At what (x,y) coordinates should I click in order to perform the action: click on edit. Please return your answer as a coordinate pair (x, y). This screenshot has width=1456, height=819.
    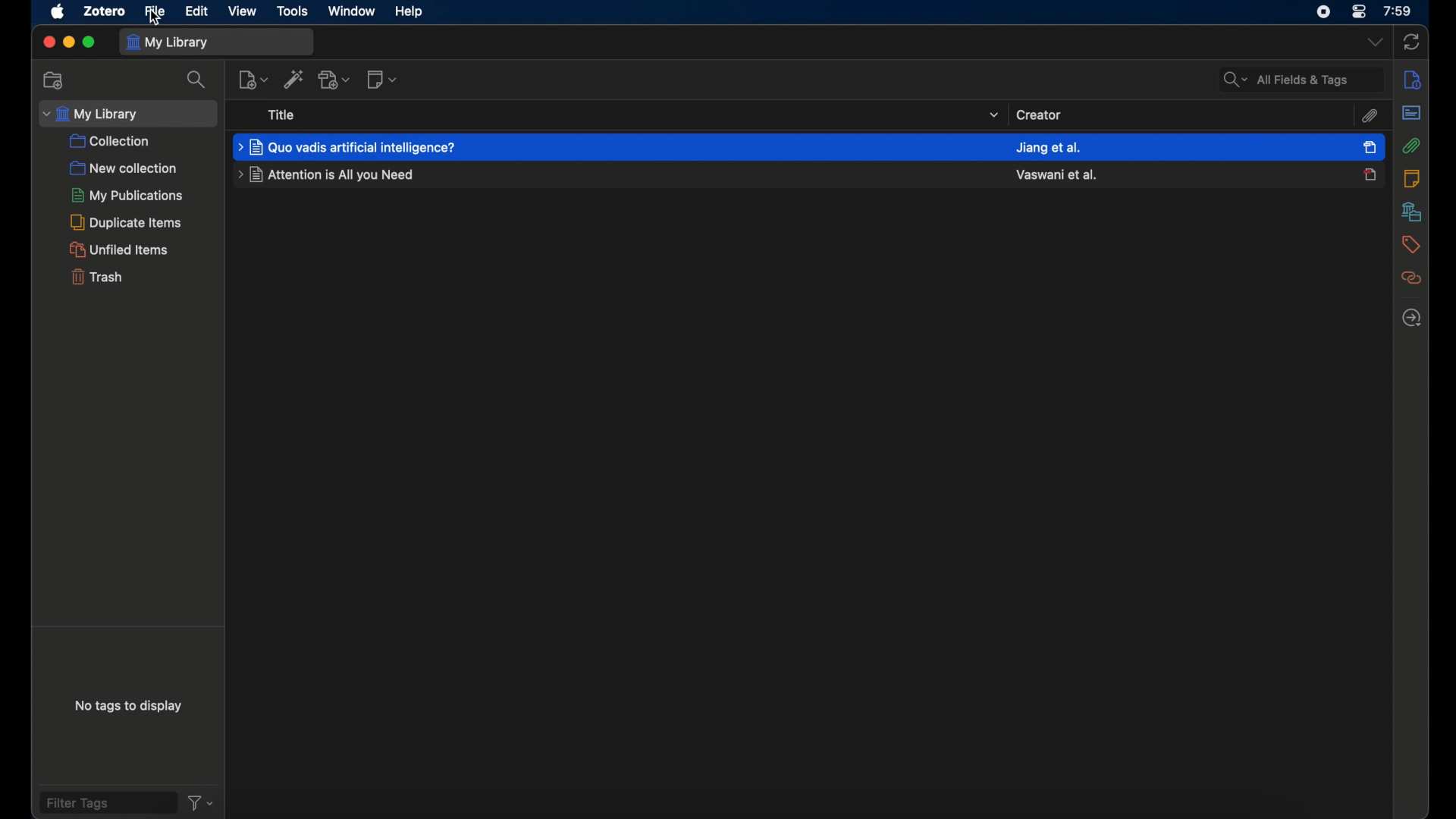
    Looking at the image, I should click on (197, 11).